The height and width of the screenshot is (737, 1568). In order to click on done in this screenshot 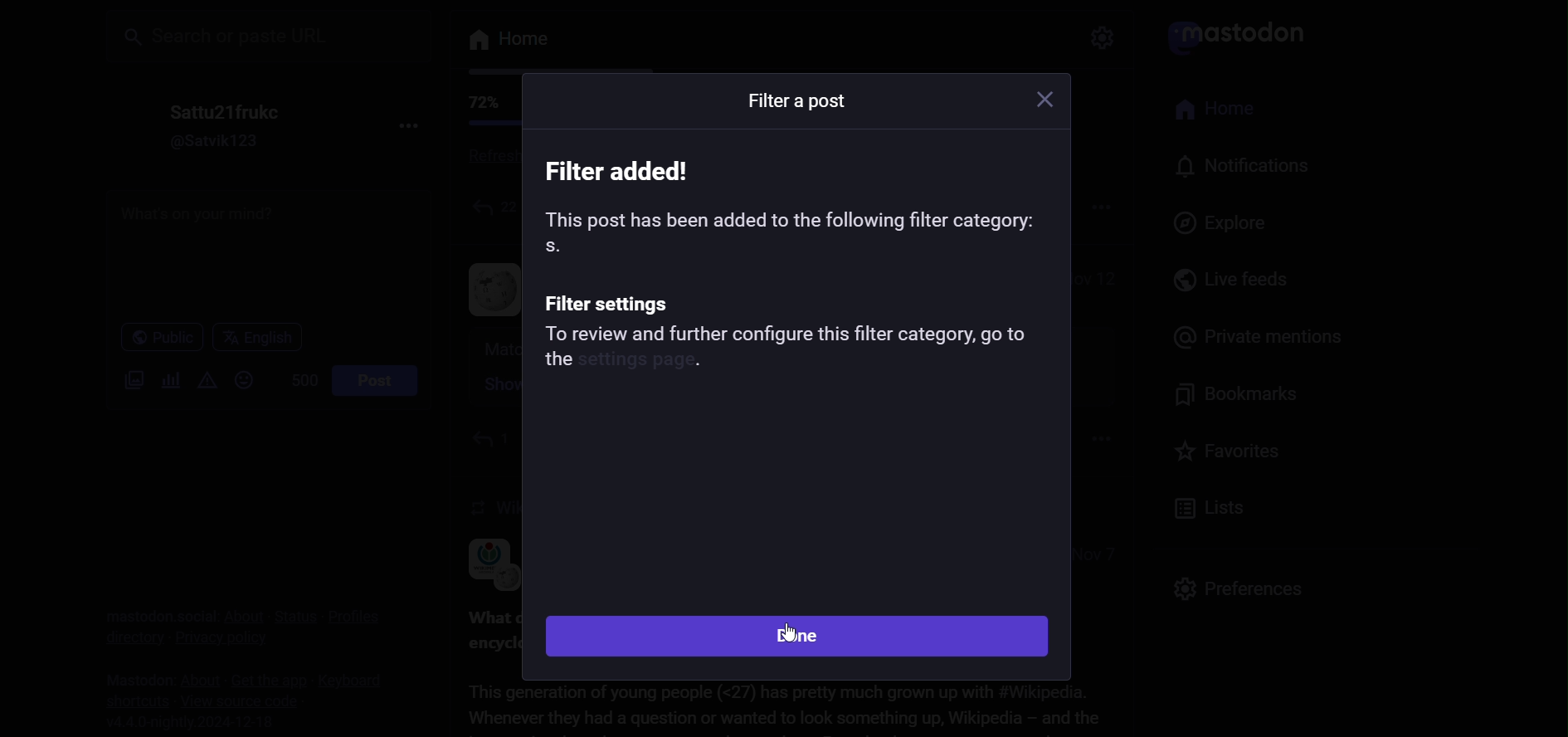, I will do `click(801, 636)`.